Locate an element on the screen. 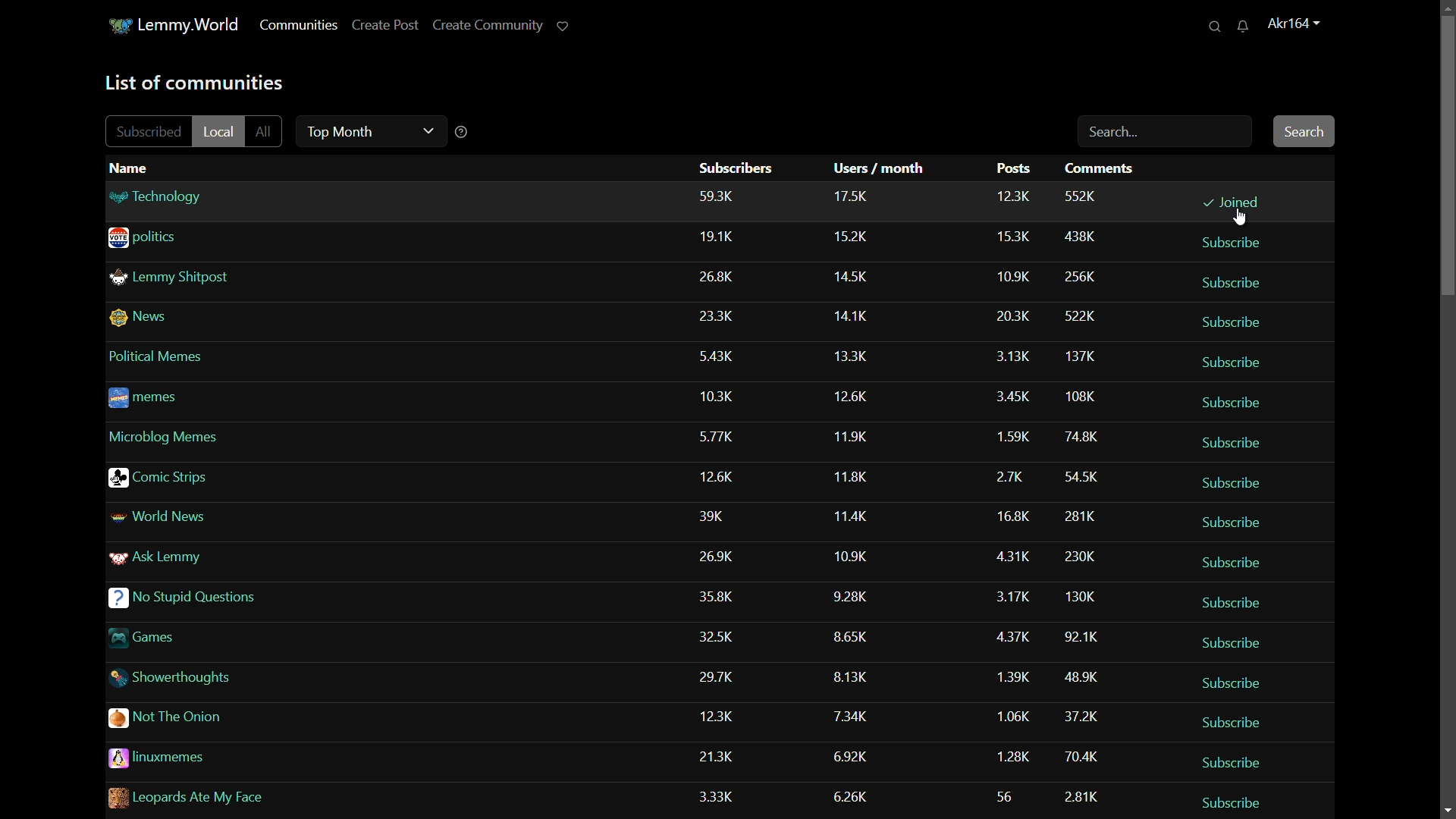 The width and height of the screenshot is (1456, 819). user per month is located at coordinates (859, 795).